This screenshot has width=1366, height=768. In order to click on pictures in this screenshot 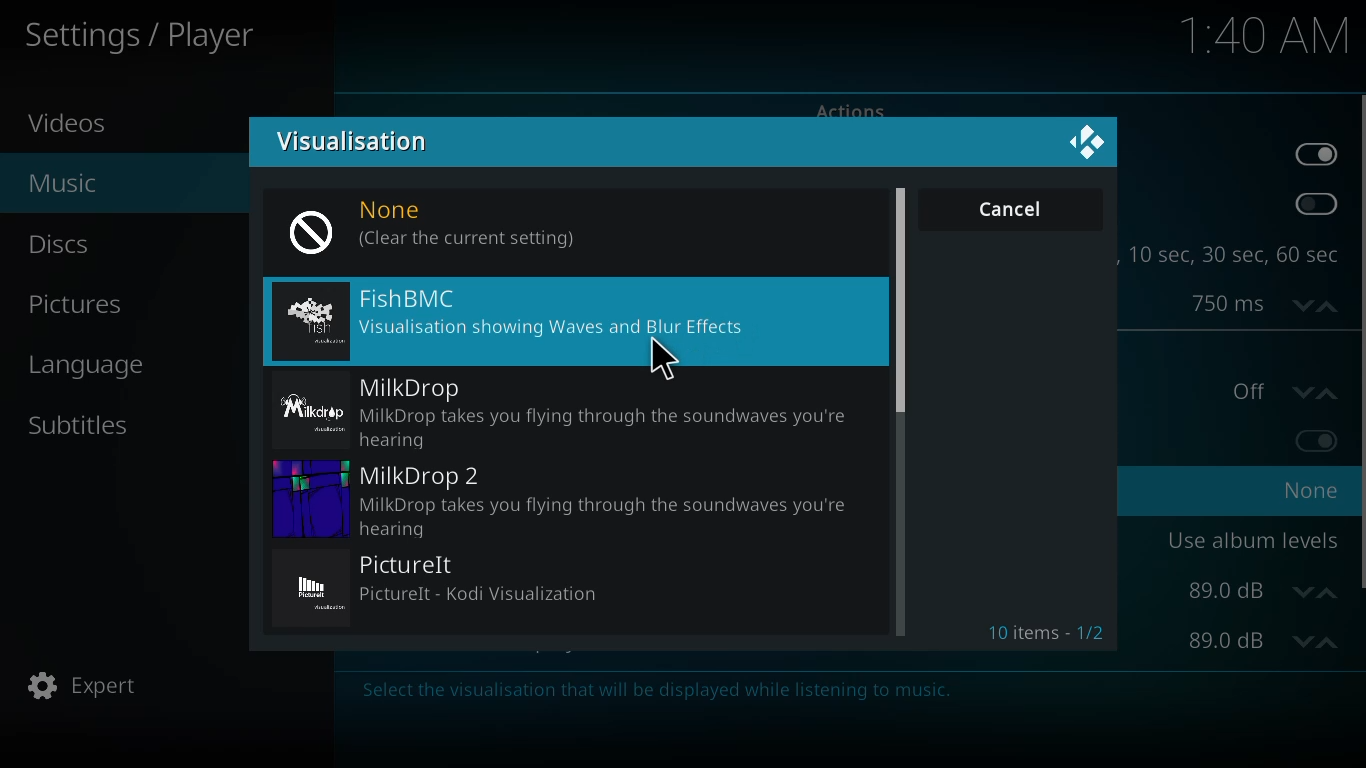, I will do `click(79, 306)`.